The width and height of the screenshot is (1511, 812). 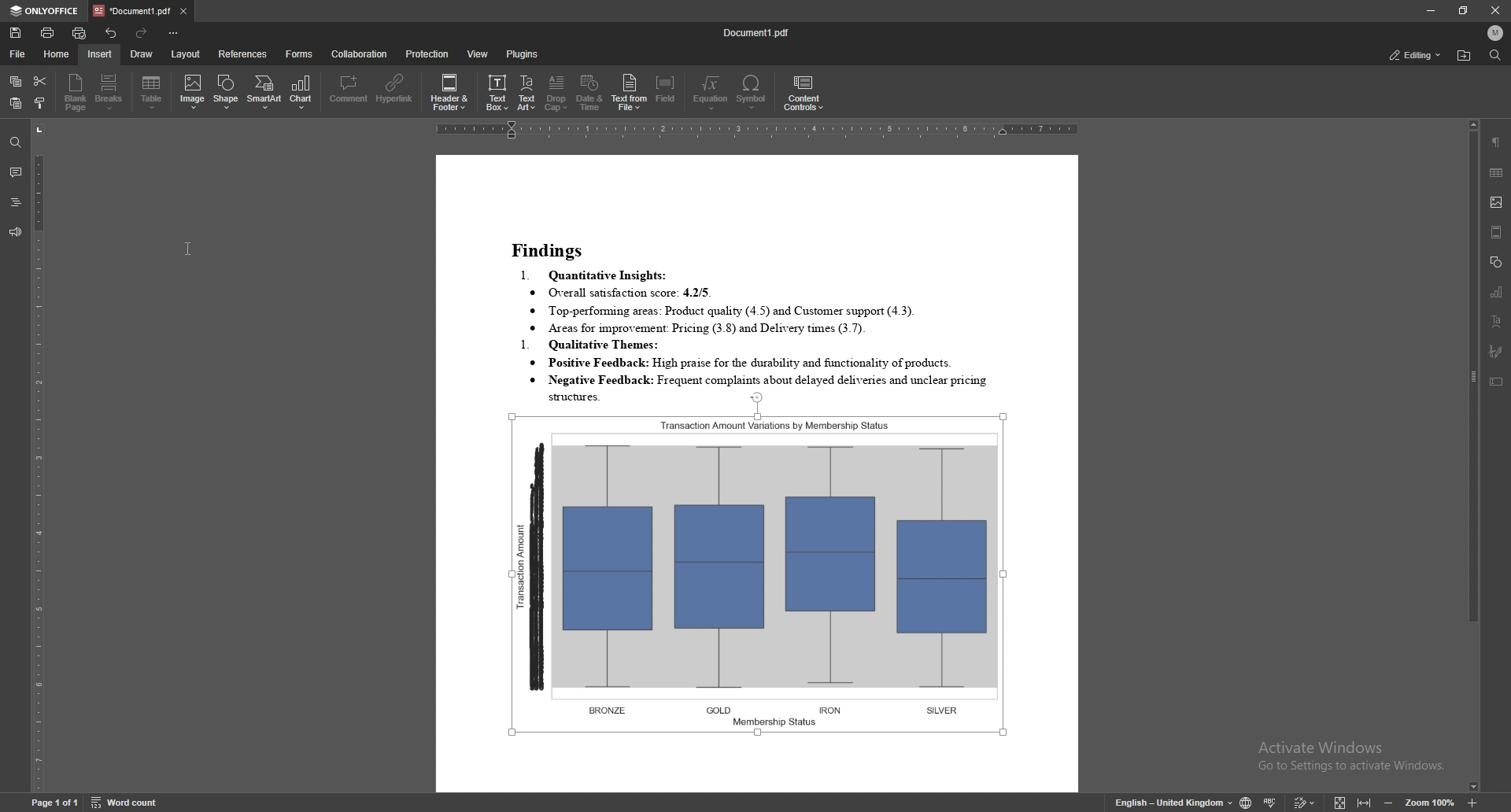 What do you see at coordinates (629, 93) in the screenshot?
I see `text from file` at bounding box center [629, 93].